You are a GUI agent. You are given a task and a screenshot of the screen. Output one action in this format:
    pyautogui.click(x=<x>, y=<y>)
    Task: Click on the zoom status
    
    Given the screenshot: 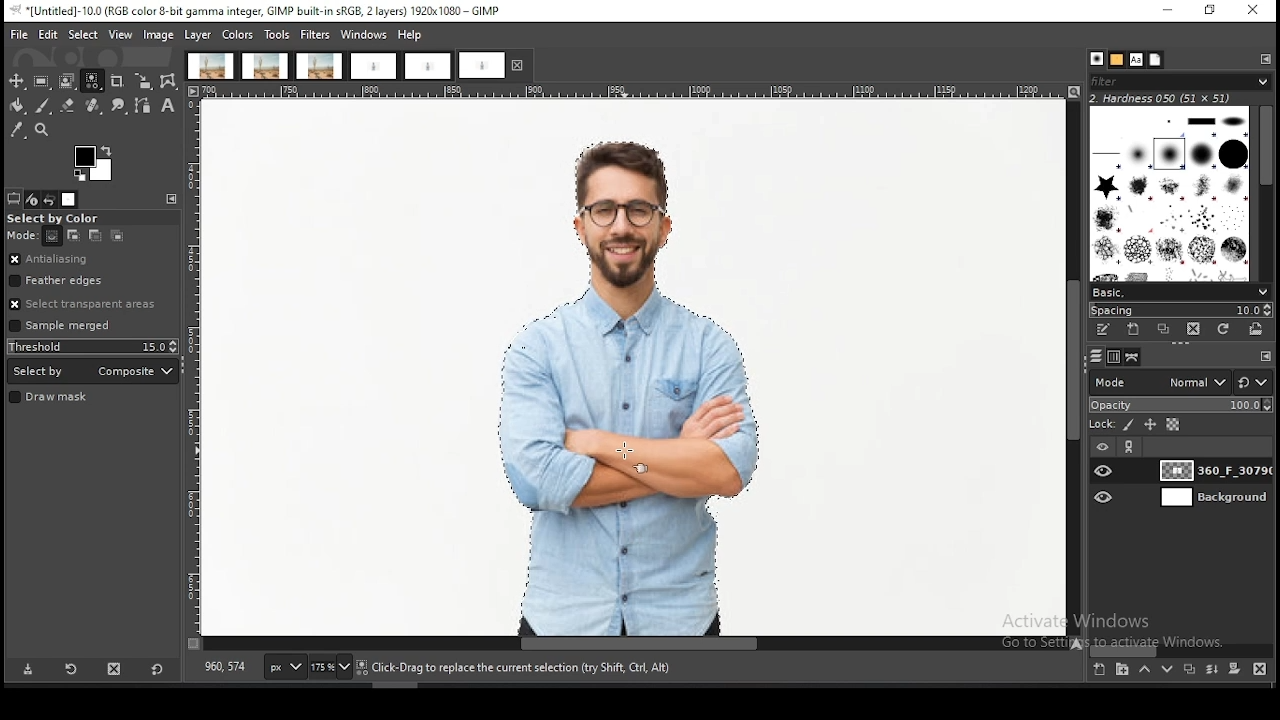 What is the action you would take?
    pyautogui.click(x=332, y=668)
    